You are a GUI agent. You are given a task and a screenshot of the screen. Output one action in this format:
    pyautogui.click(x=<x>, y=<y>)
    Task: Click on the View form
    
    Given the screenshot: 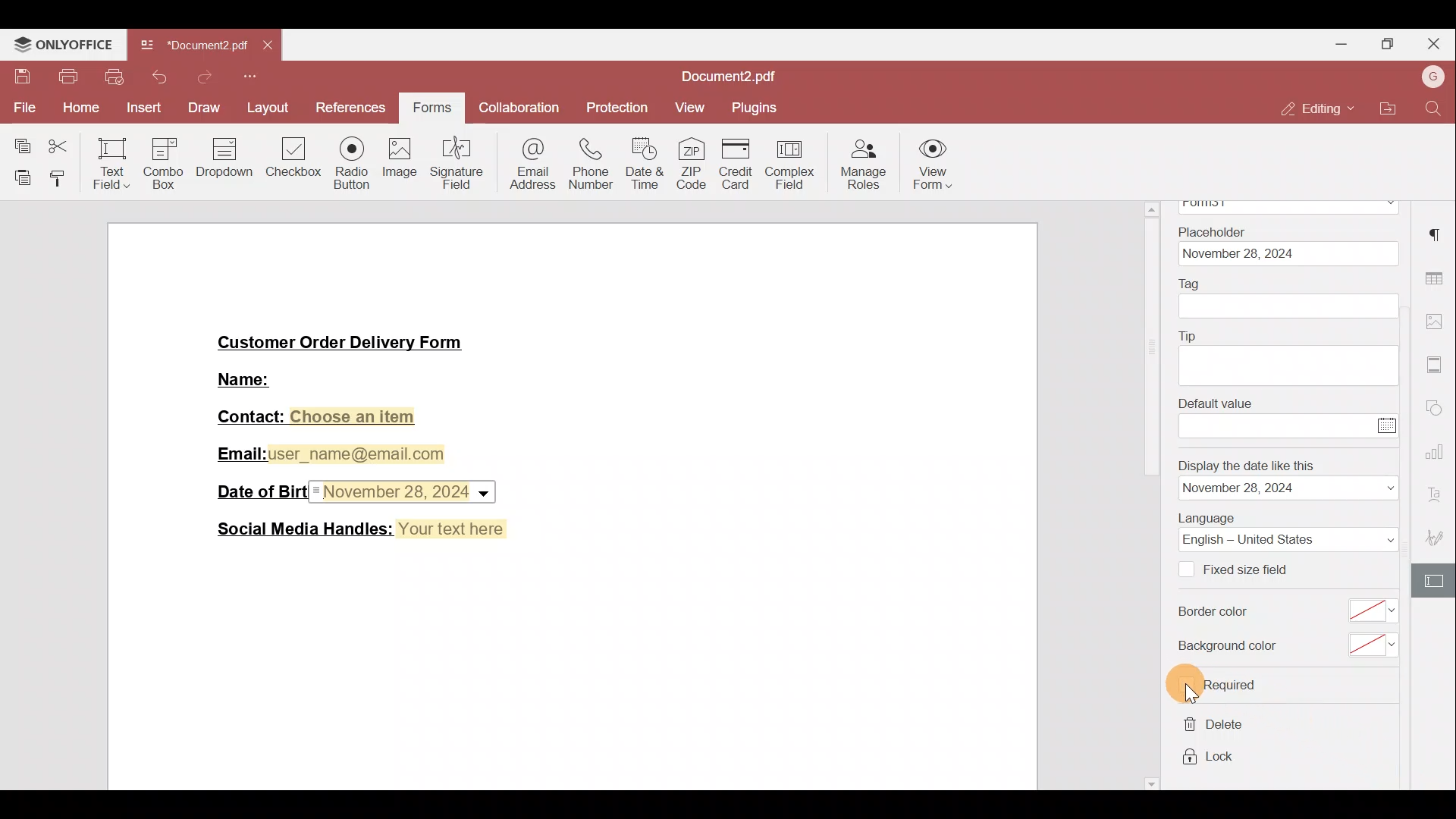 What is the action you would take?
    pyautogui.click(x=930, y=168)
    